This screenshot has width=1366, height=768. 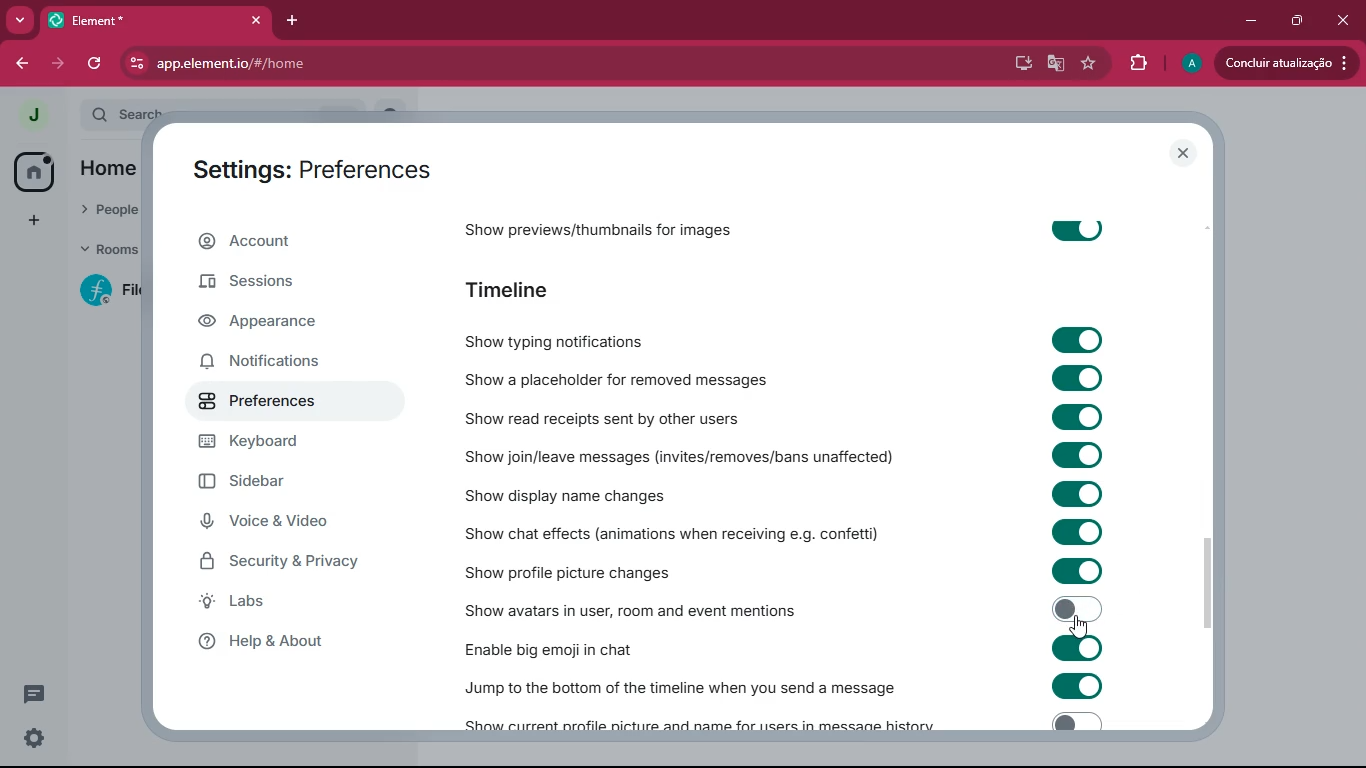 What do you see at coordinates (613, 381) in the screenshot?
I see `show a placeholder for removed messages` at bounding box center [613, 381].